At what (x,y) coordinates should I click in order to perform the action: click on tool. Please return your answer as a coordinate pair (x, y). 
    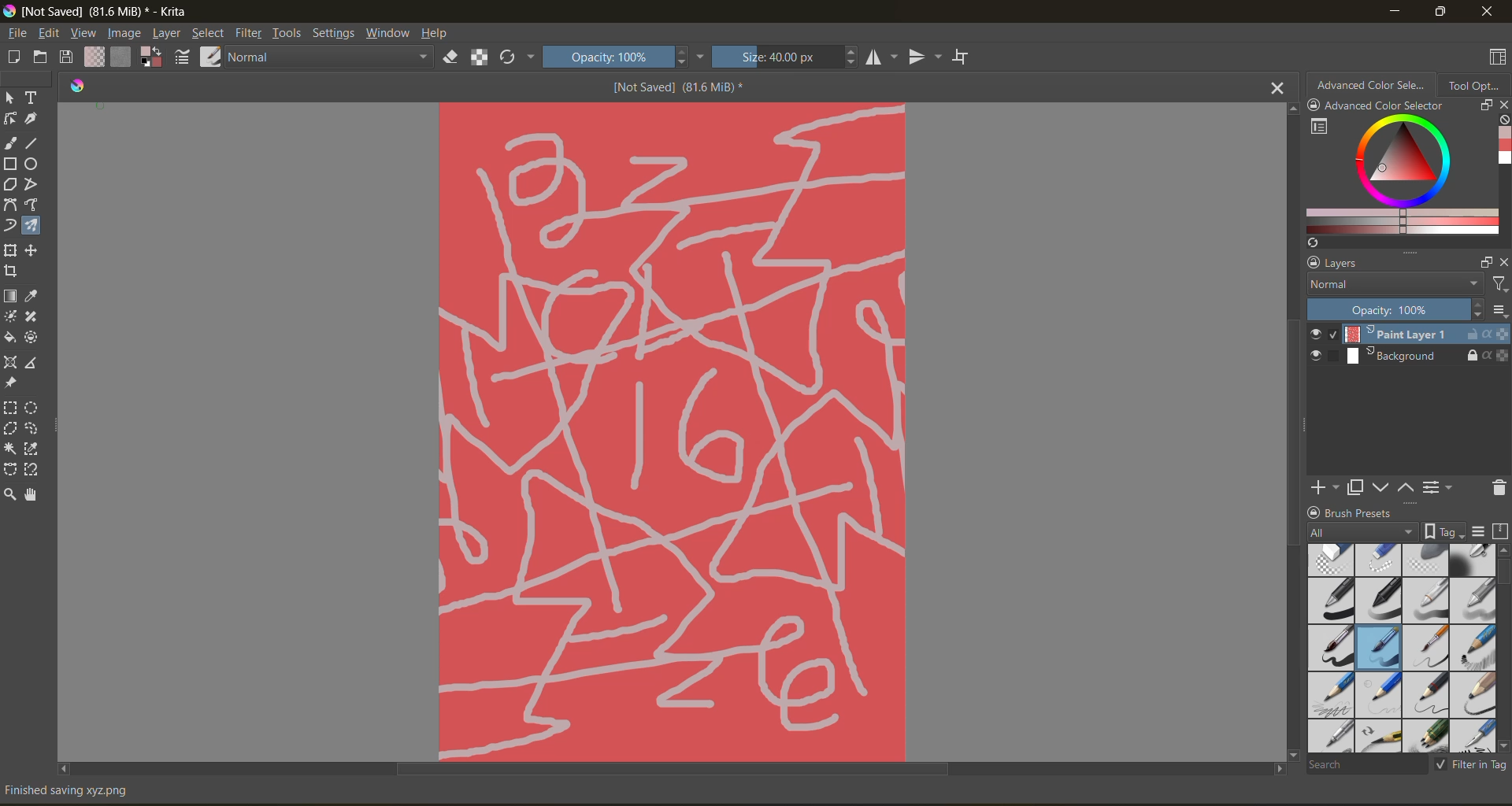
    Looking at the image, I should click on (35, 361).